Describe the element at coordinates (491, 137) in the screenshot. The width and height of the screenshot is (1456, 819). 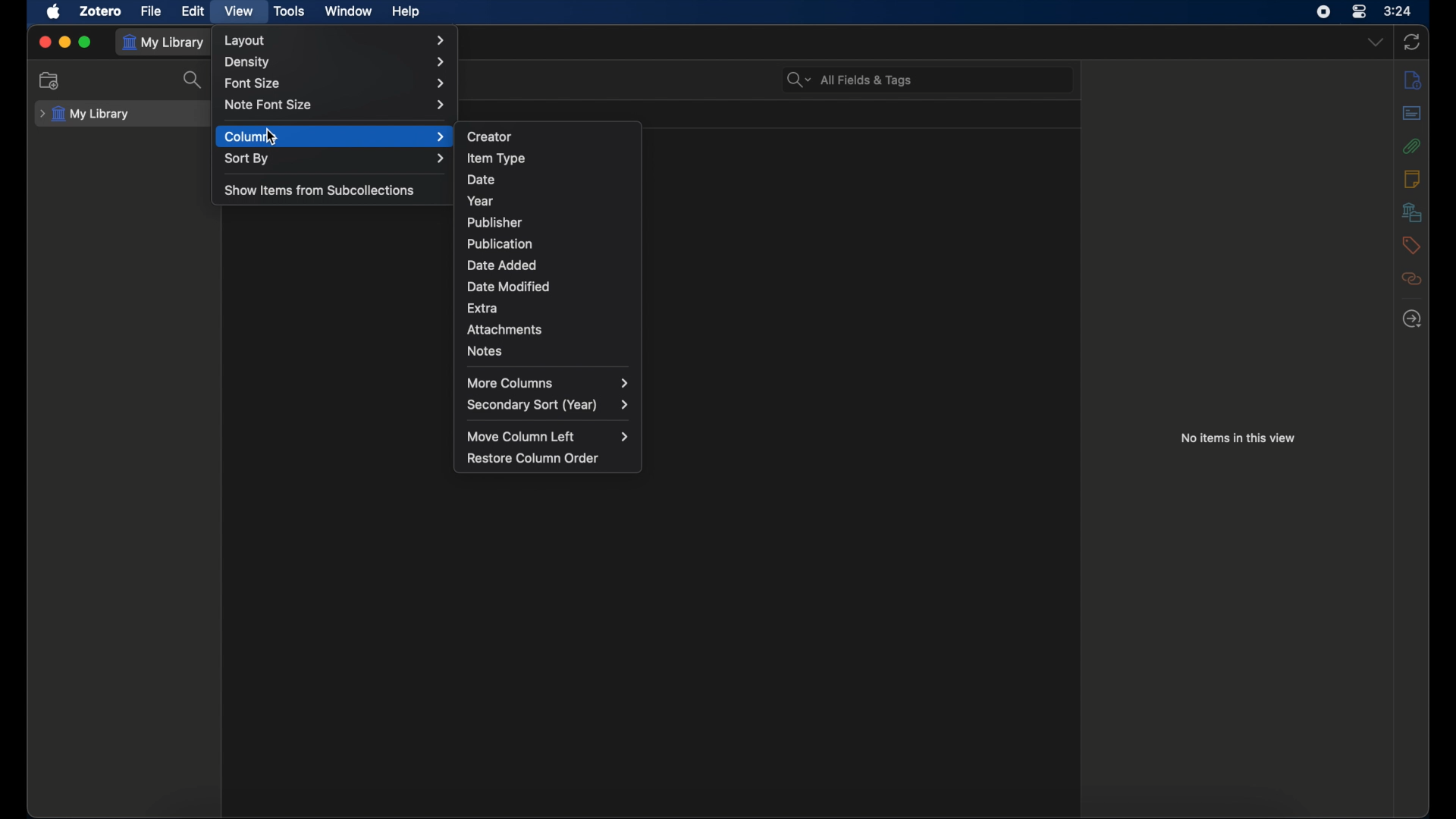
I see `creator` at that location.